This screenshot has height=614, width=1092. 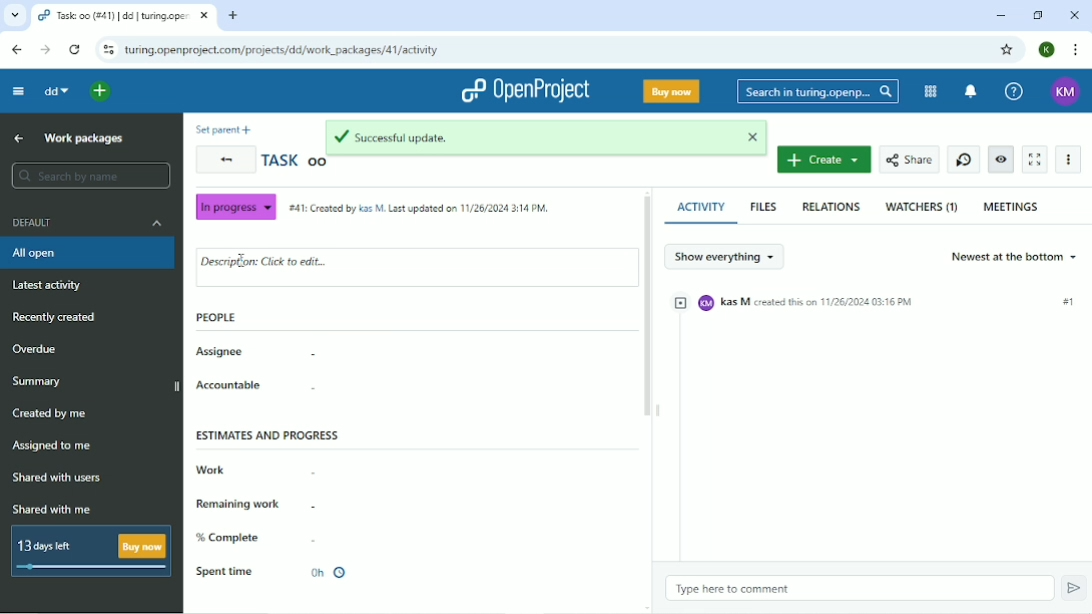 I want to click on K, so click(x=1044, y=50).